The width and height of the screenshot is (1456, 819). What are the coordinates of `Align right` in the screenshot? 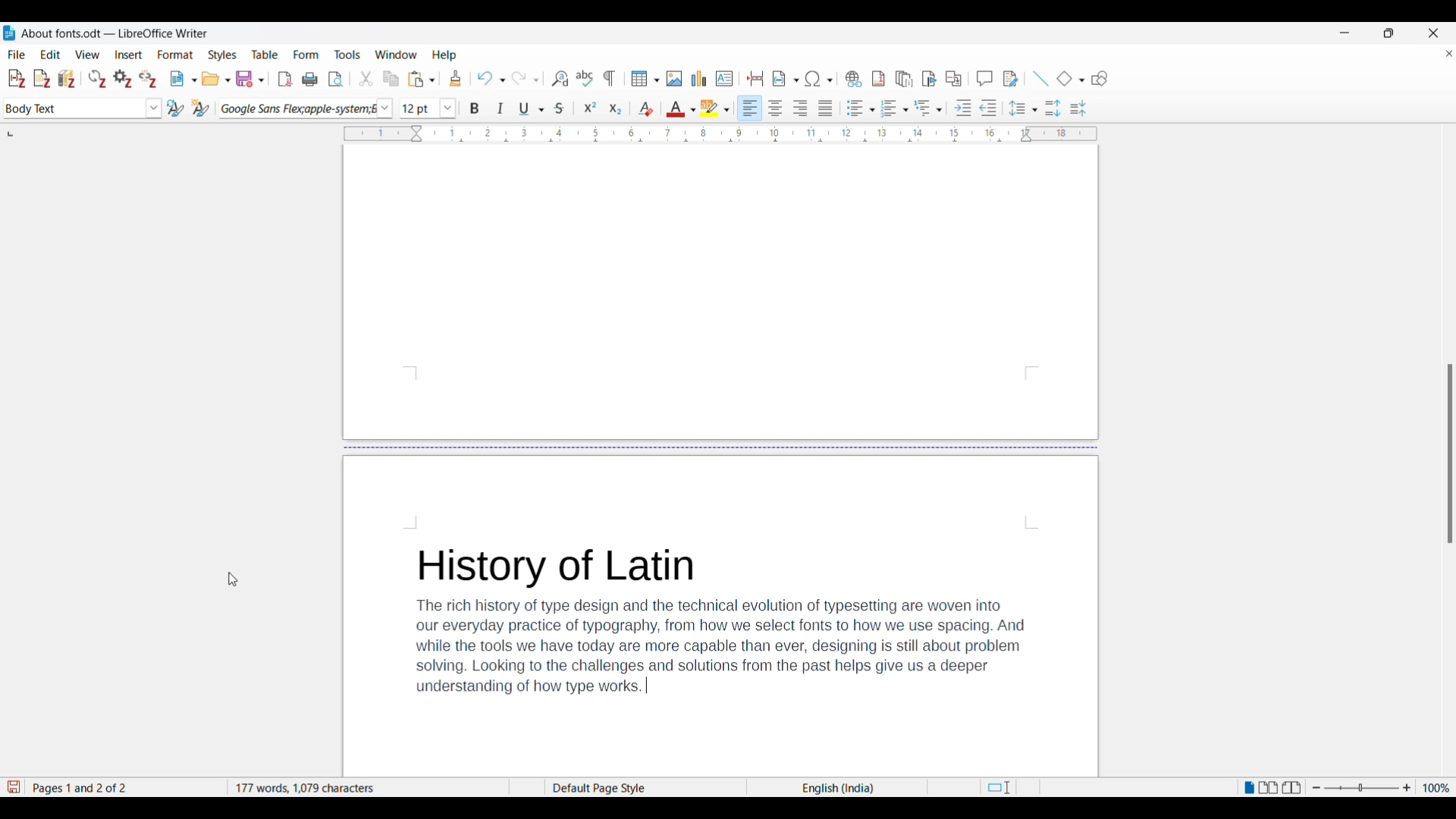 It's located at (800, 108).